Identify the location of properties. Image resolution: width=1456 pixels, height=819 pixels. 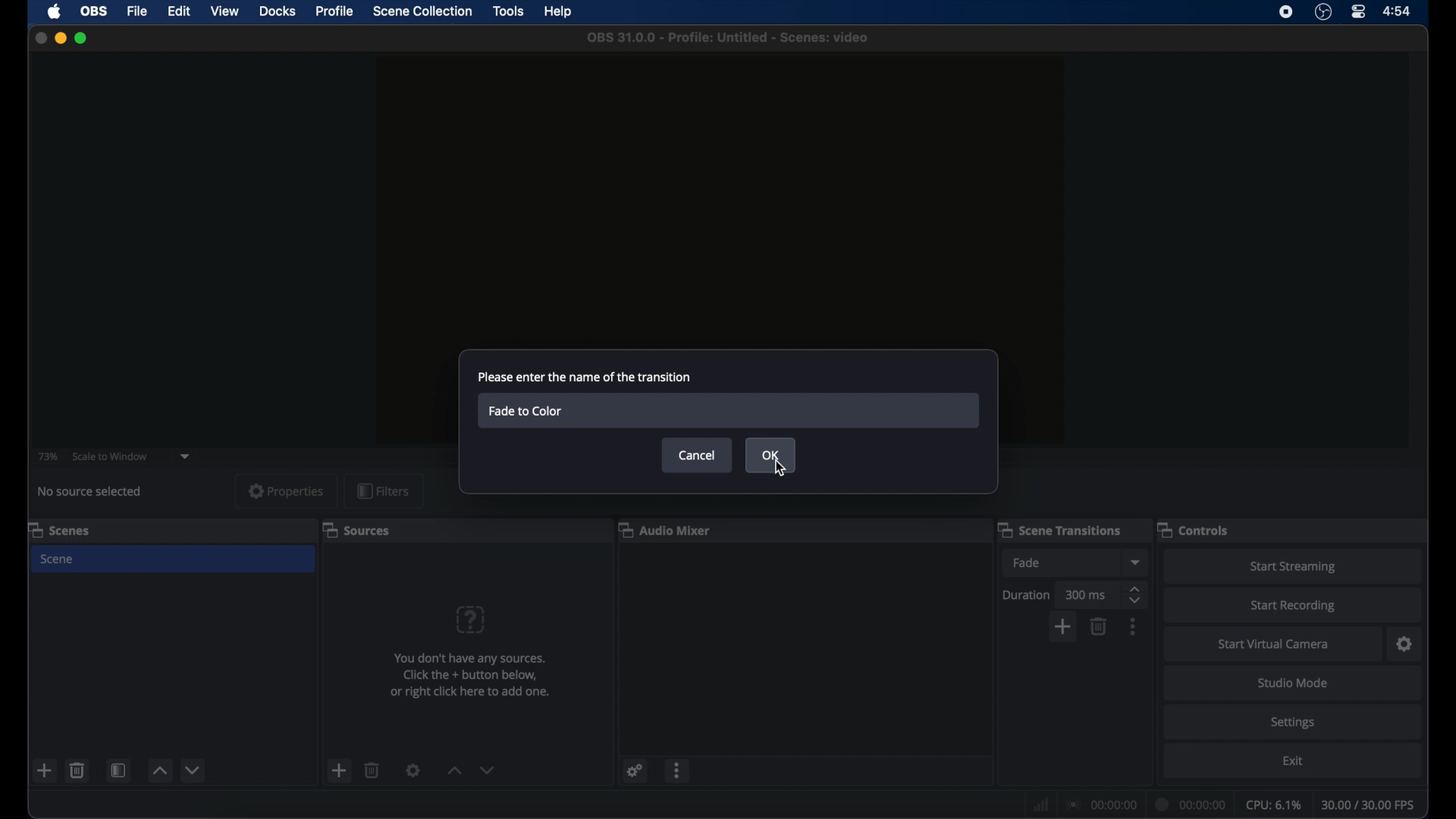
(286, 491).